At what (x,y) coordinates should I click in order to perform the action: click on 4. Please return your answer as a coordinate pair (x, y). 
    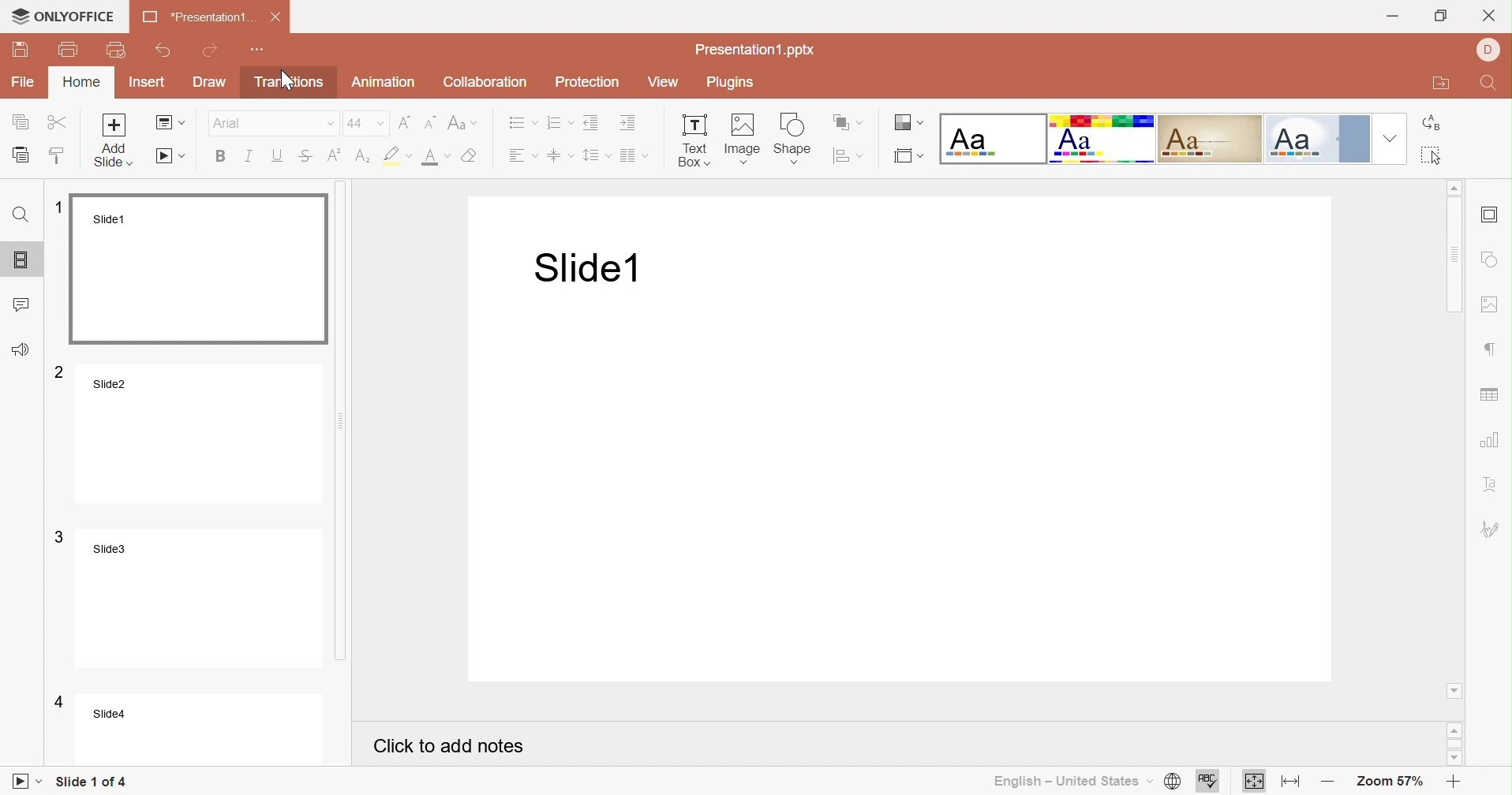
    Looking at the image, I should click on (62, 703).